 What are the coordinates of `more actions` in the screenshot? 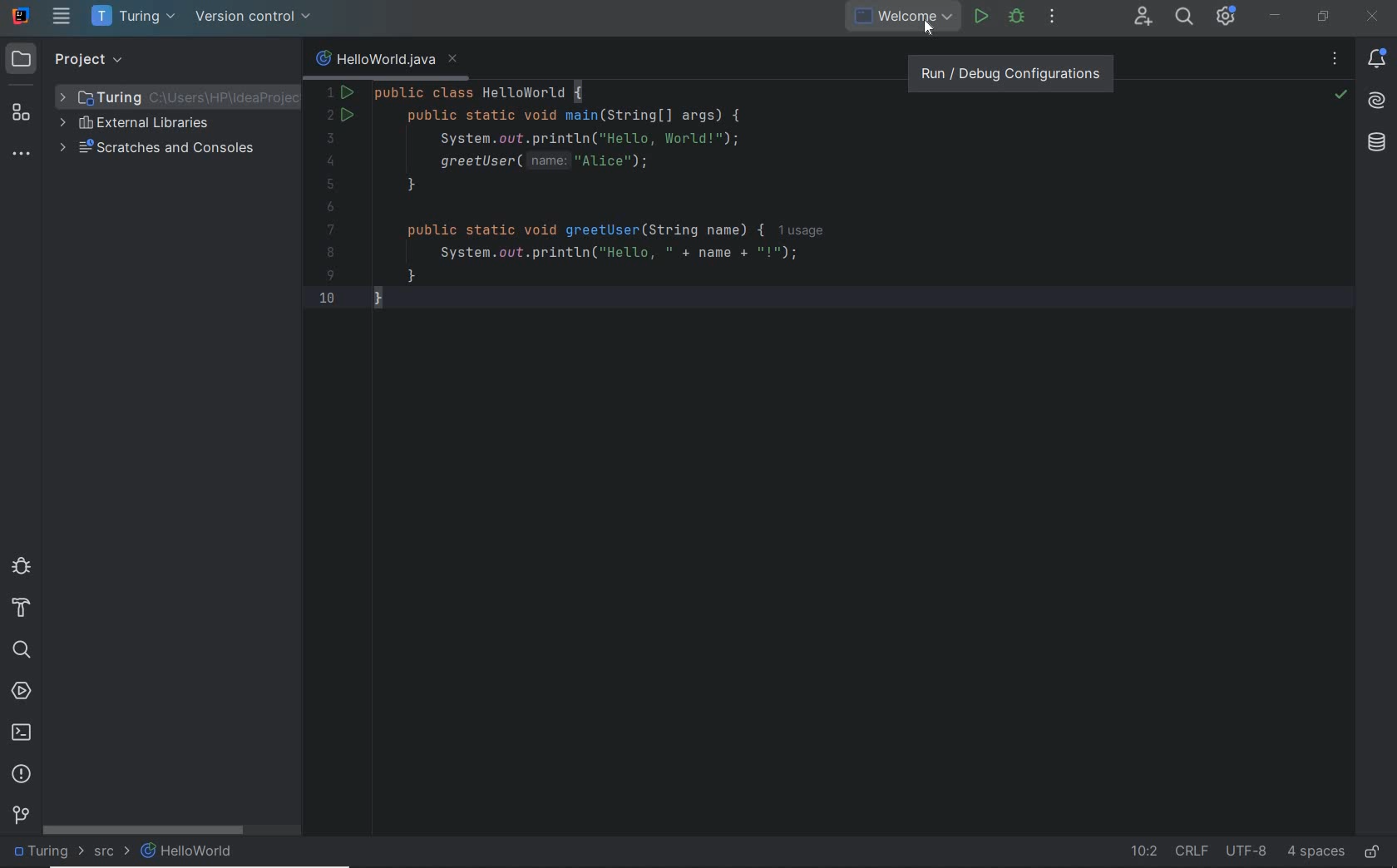 It's located at (1052, 17).